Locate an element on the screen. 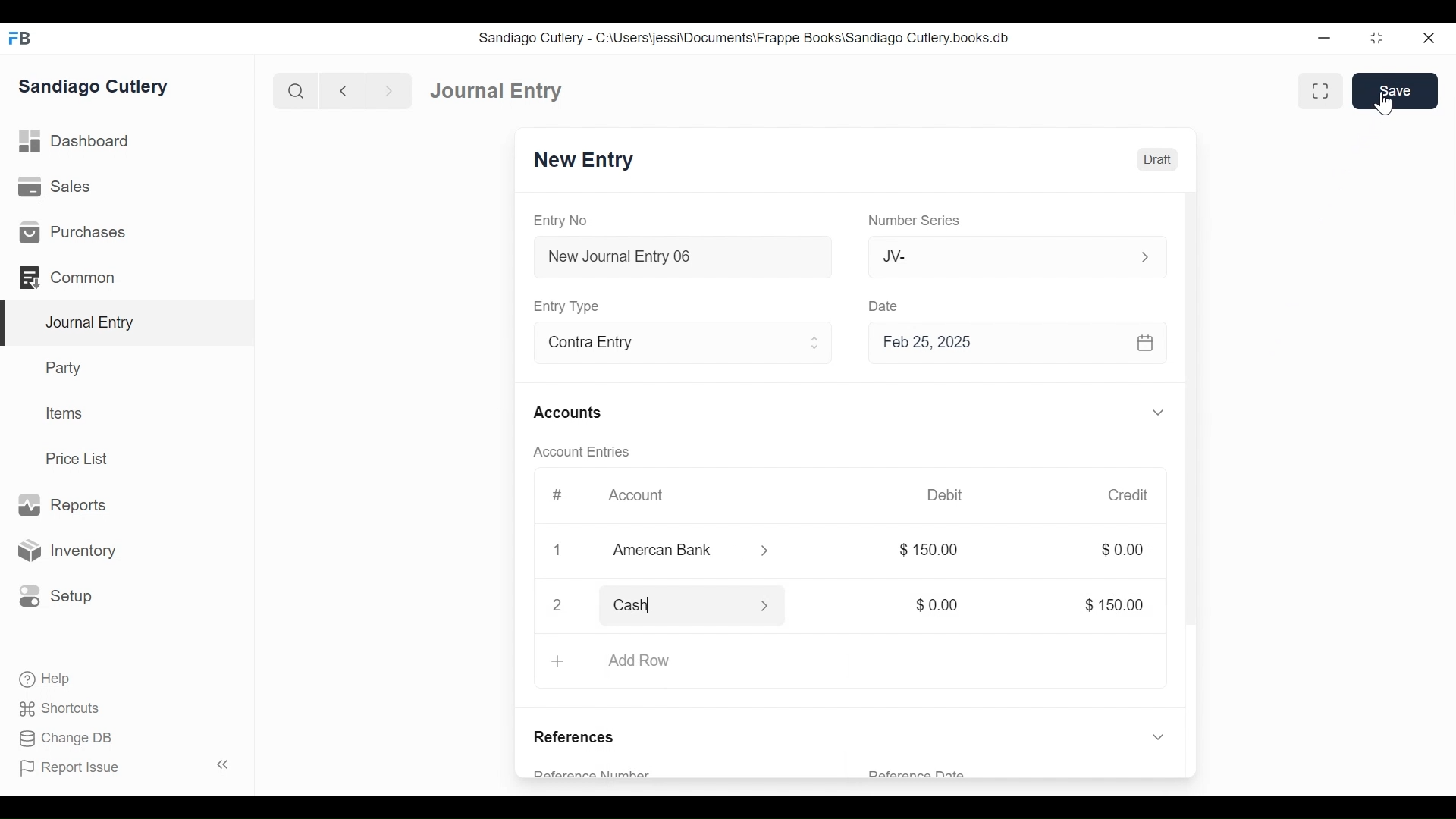 Image resolution: width=1456 pixels, height=819 pixels. Cash is located at coordinates (675, 605).